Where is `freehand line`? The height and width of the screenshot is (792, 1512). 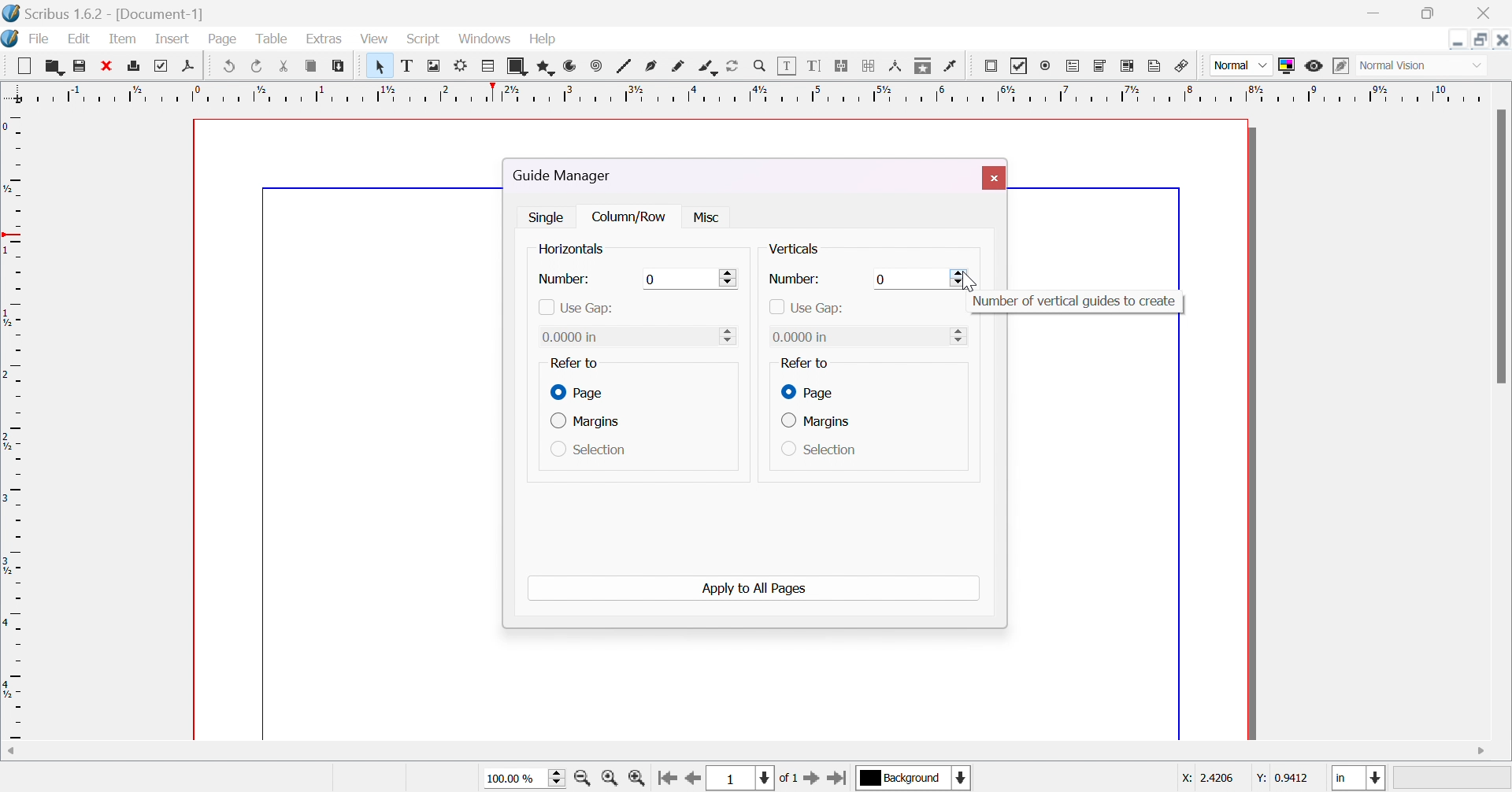 freehand line is located at coordinates (681, 68).